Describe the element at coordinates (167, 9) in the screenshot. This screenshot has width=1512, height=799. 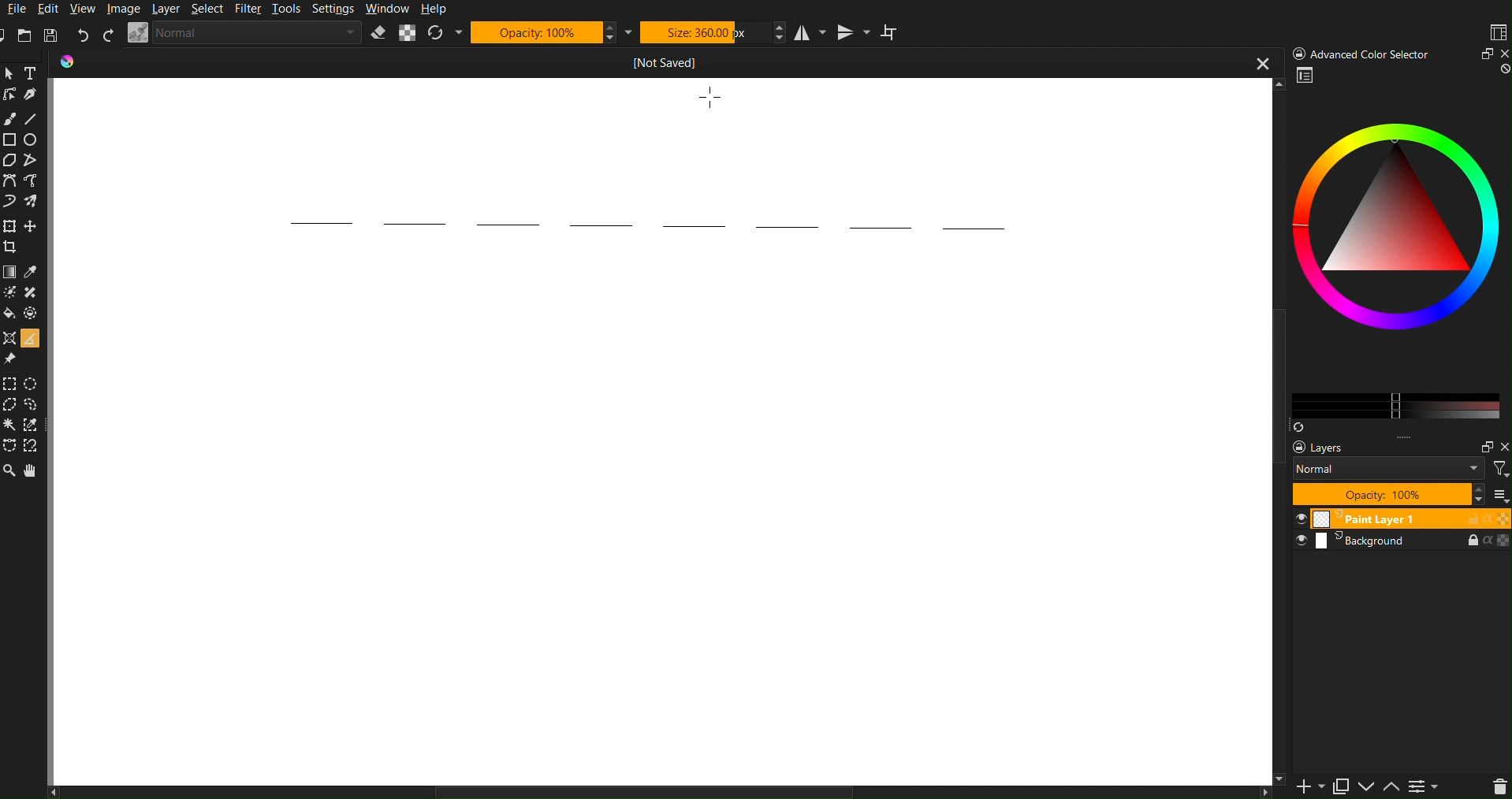
I see `Layer` at that location.